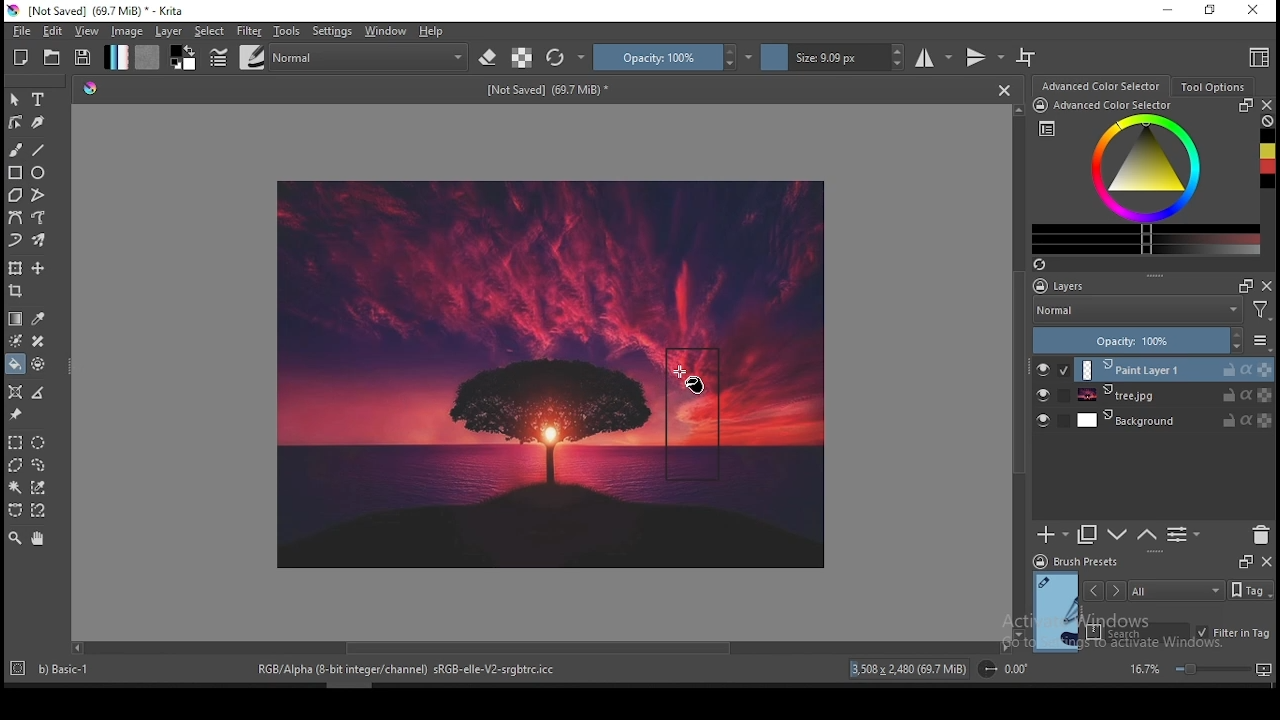 Image resolution: width=1280 pixels, height=720 pixels. Describe the element at coordinates (332, 31) in the screenshot. I see `settings` at that location.